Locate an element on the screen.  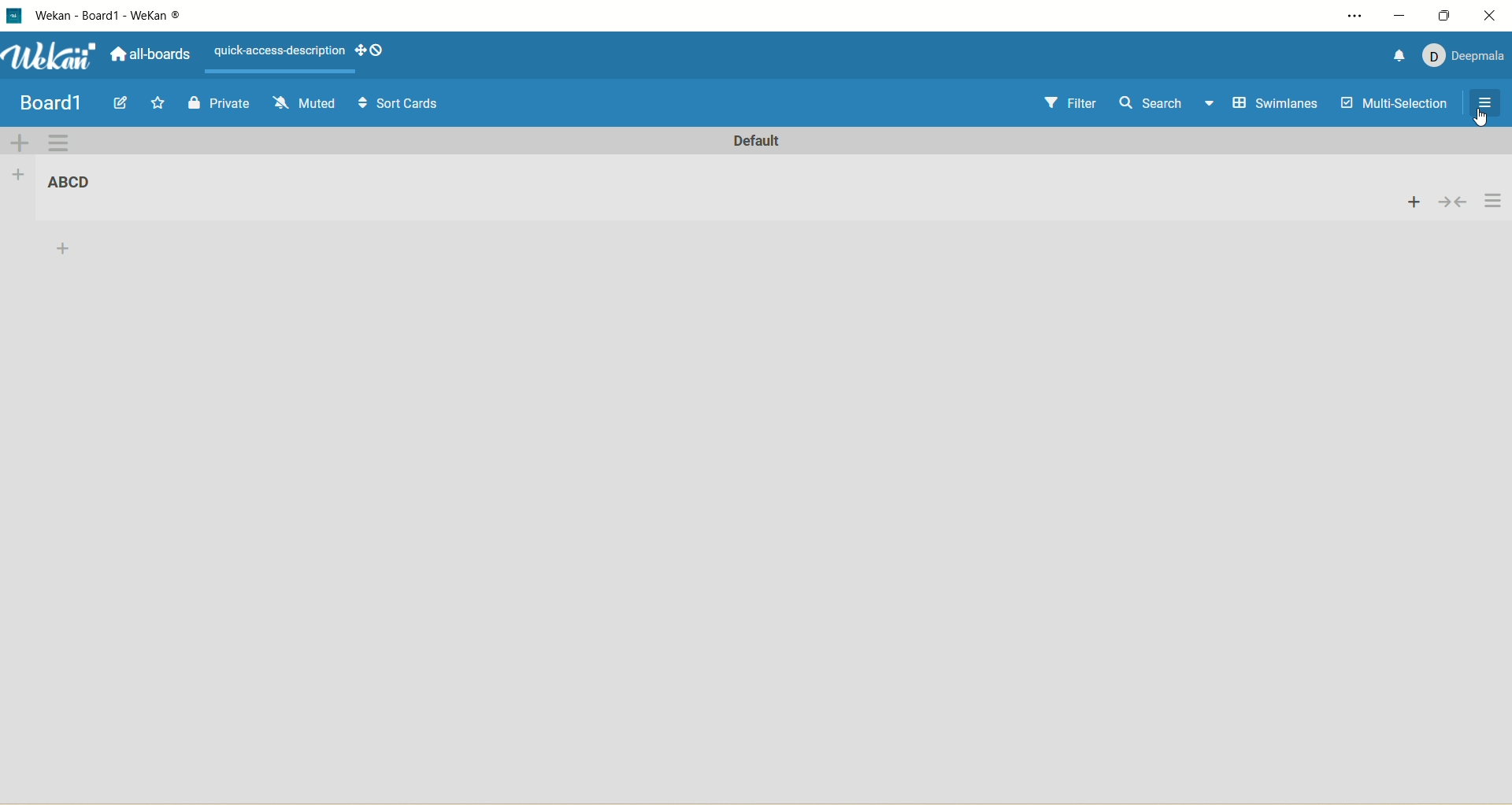
add is located at coordinates (1414, 203).